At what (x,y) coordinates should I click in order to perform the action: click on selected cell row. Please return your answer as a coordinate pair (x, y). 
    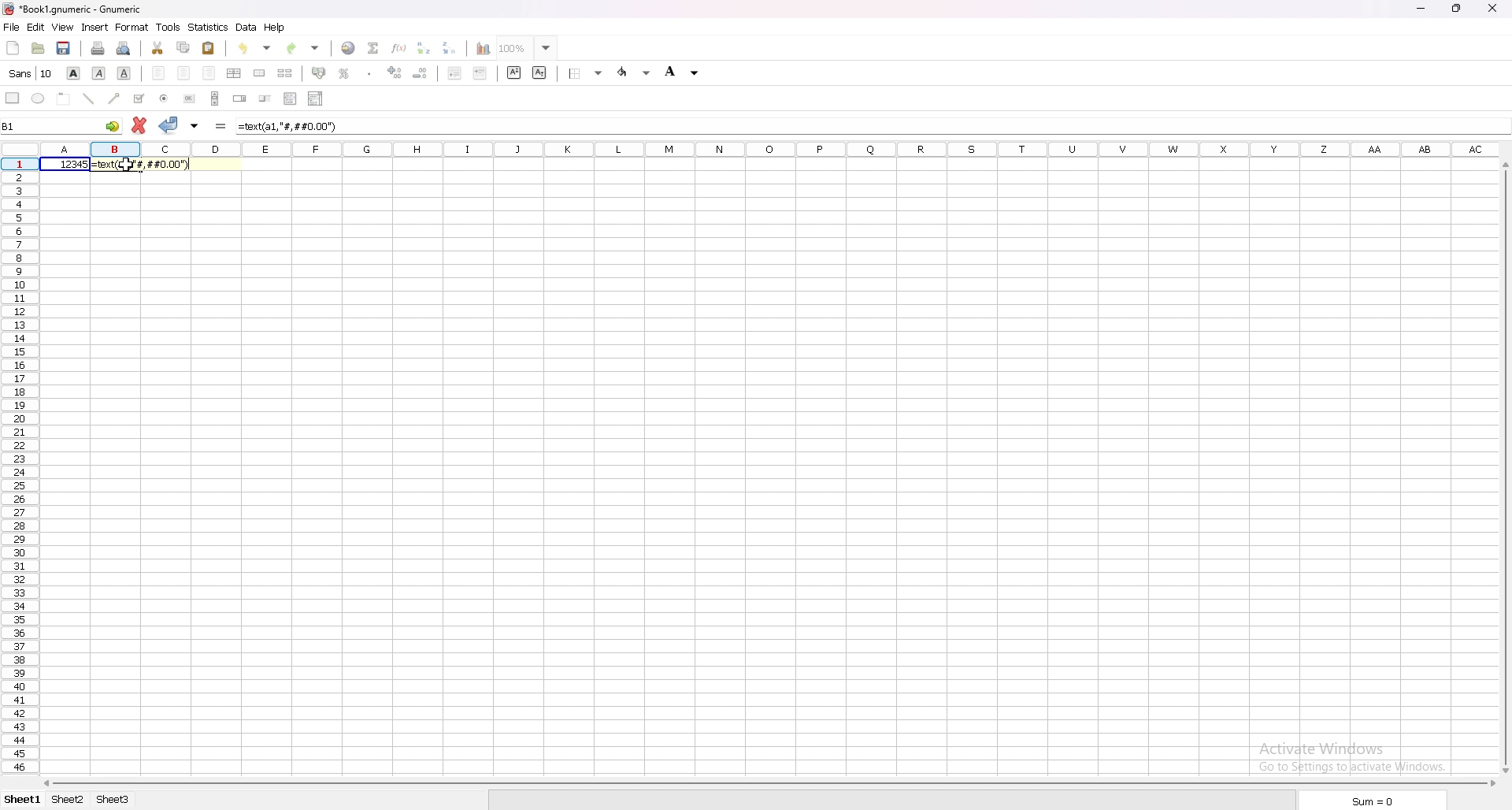
    Looking at the image, I should click on (20, 165).